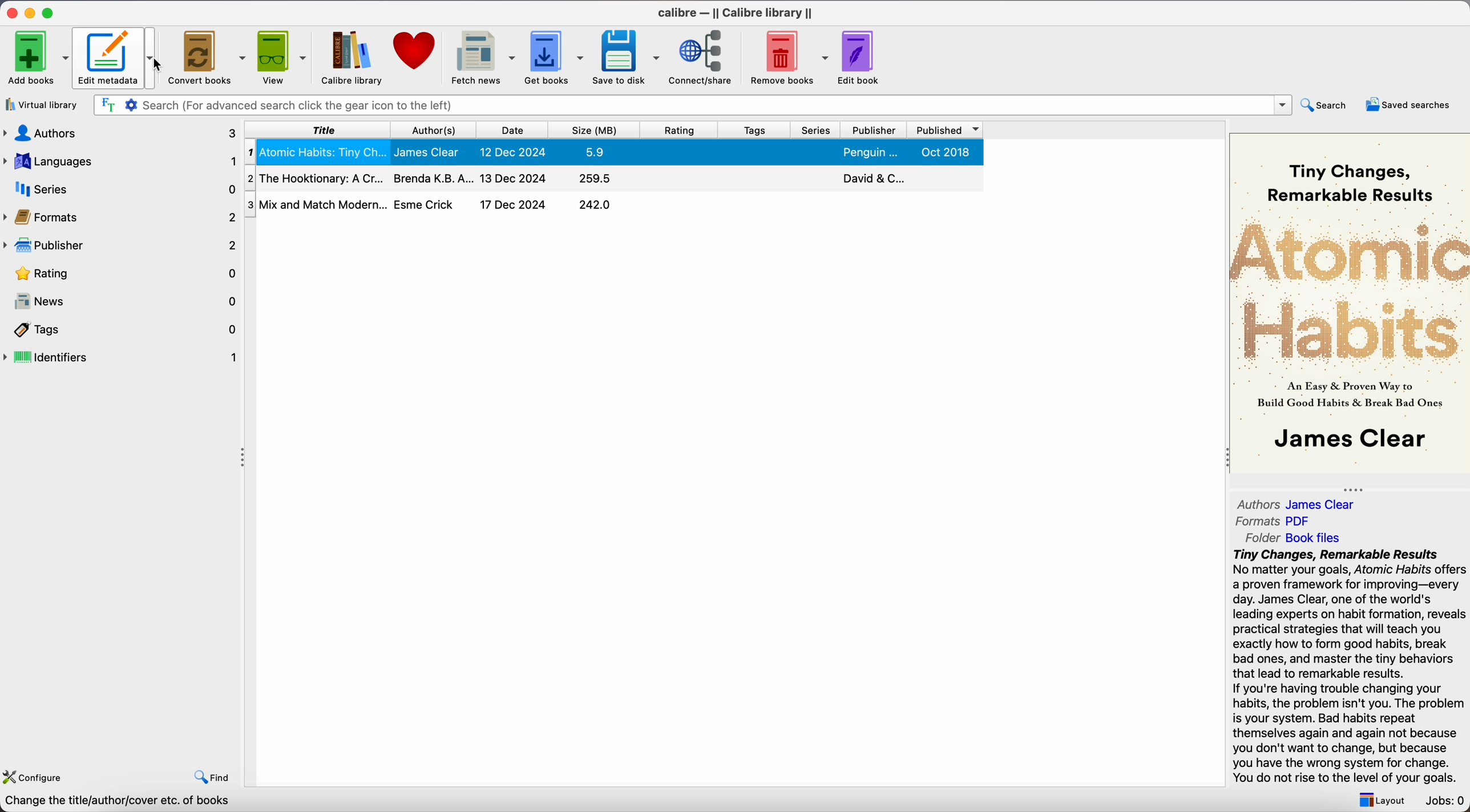 The width and height of the screenshot is (1470, 812). I want to click on Oct 2018, so click(945, 152).